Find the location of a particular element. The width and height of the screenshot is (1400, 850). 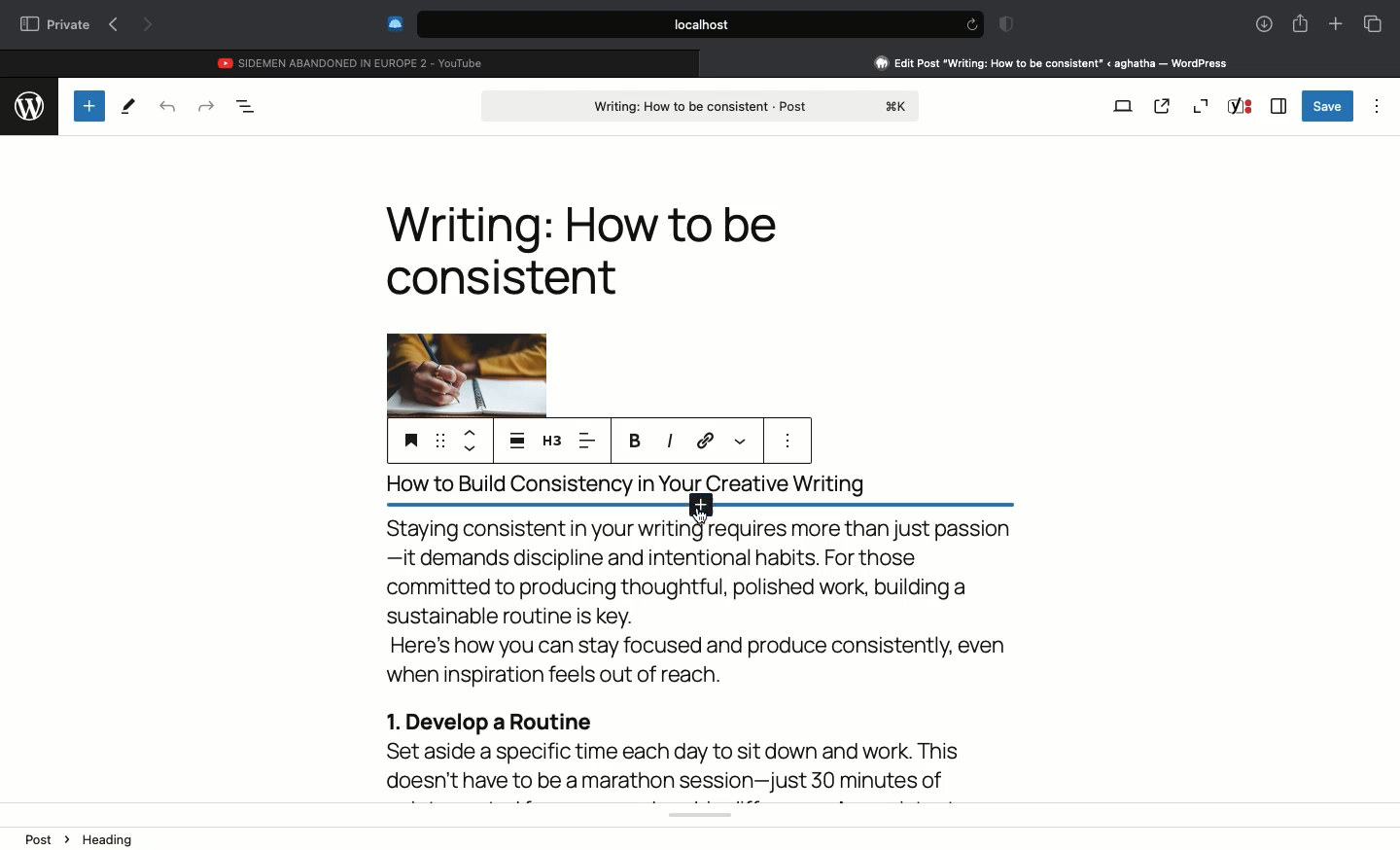

Next page is located at coordinates (150, 26).